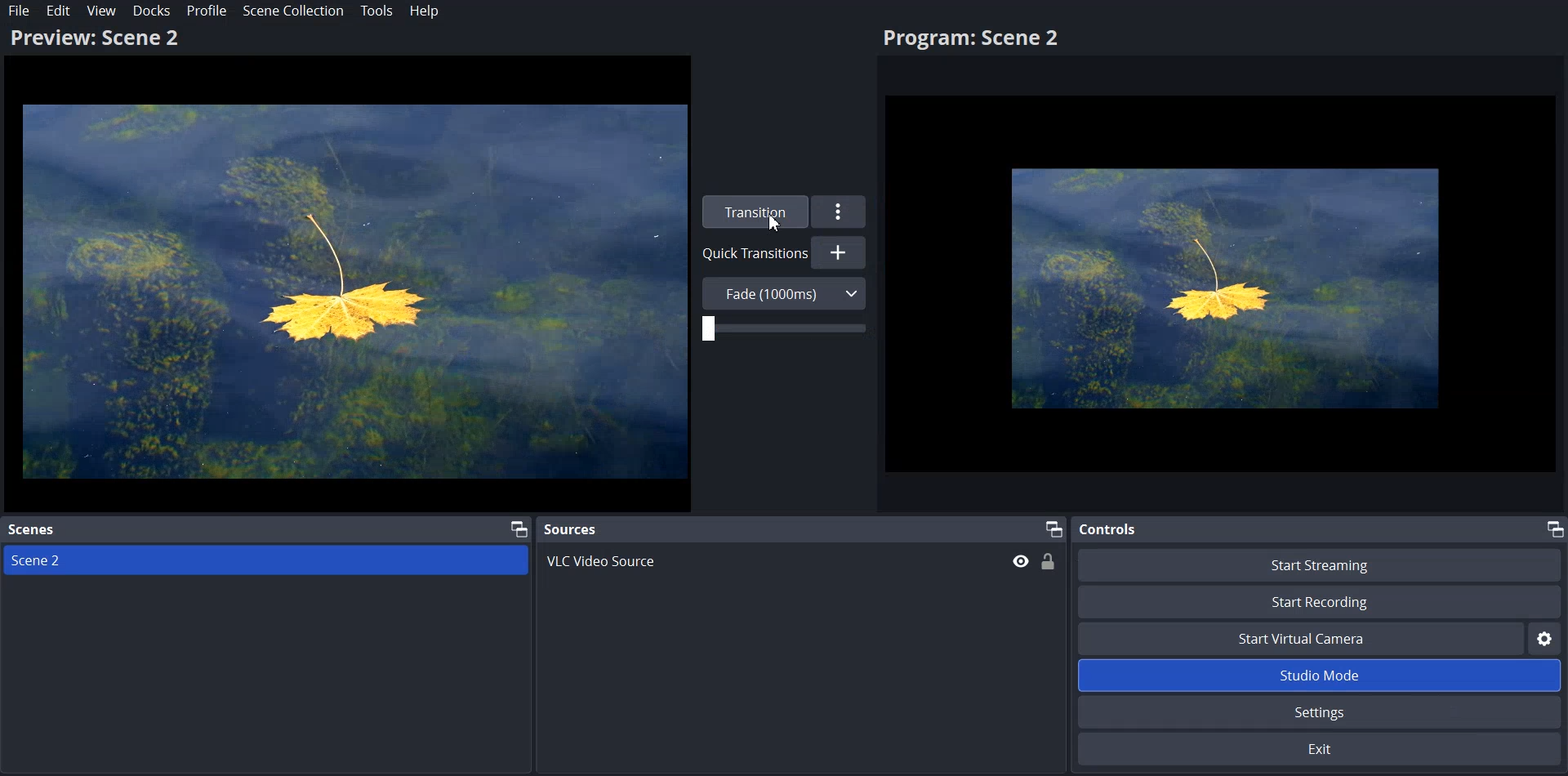 This screenshot has height=776, width=1568. I want to click on Lock, so click(1050, 561).